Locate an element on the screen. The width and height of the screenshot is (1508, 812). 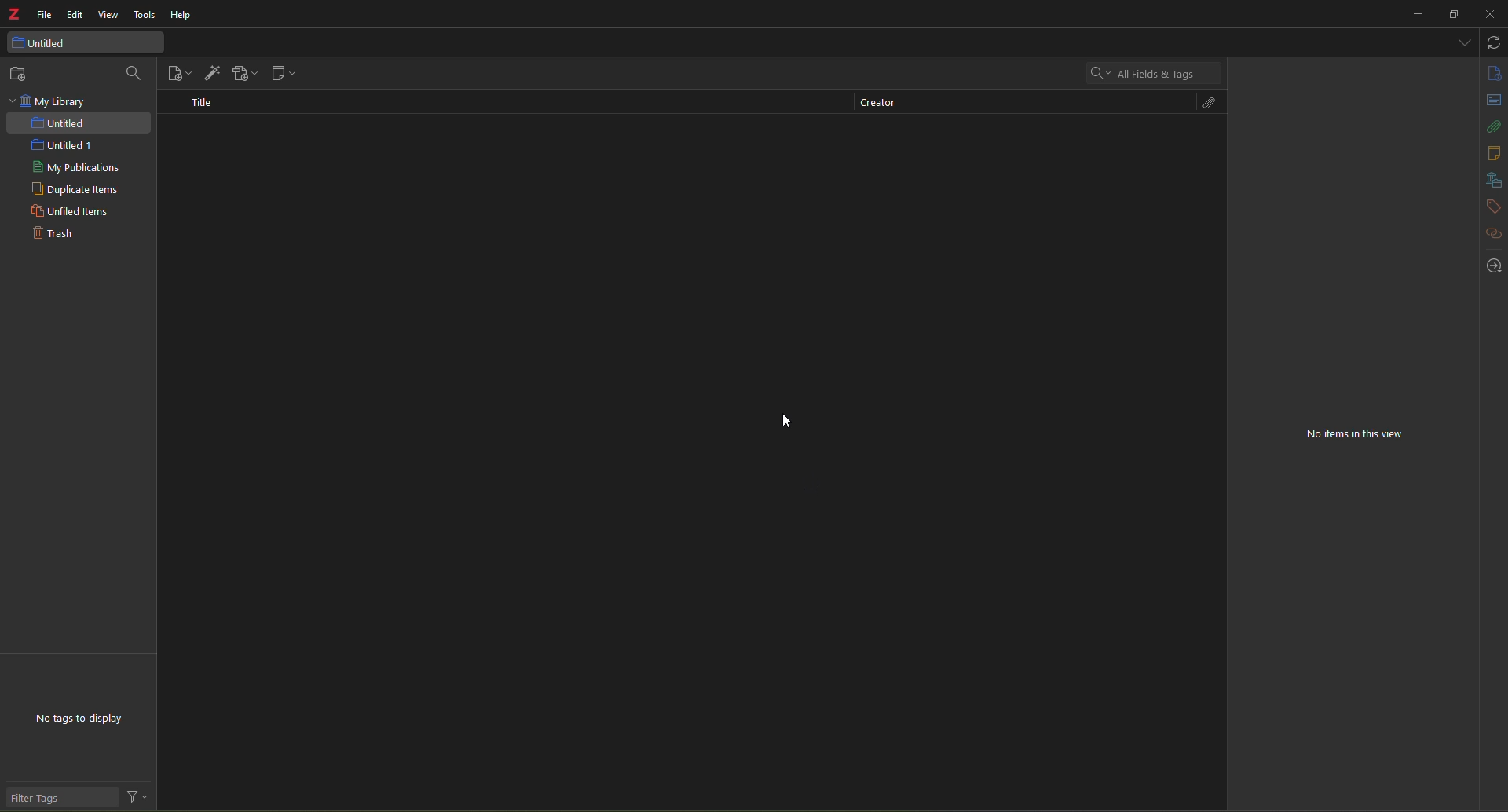
tools is located at coordinates (145, 16).